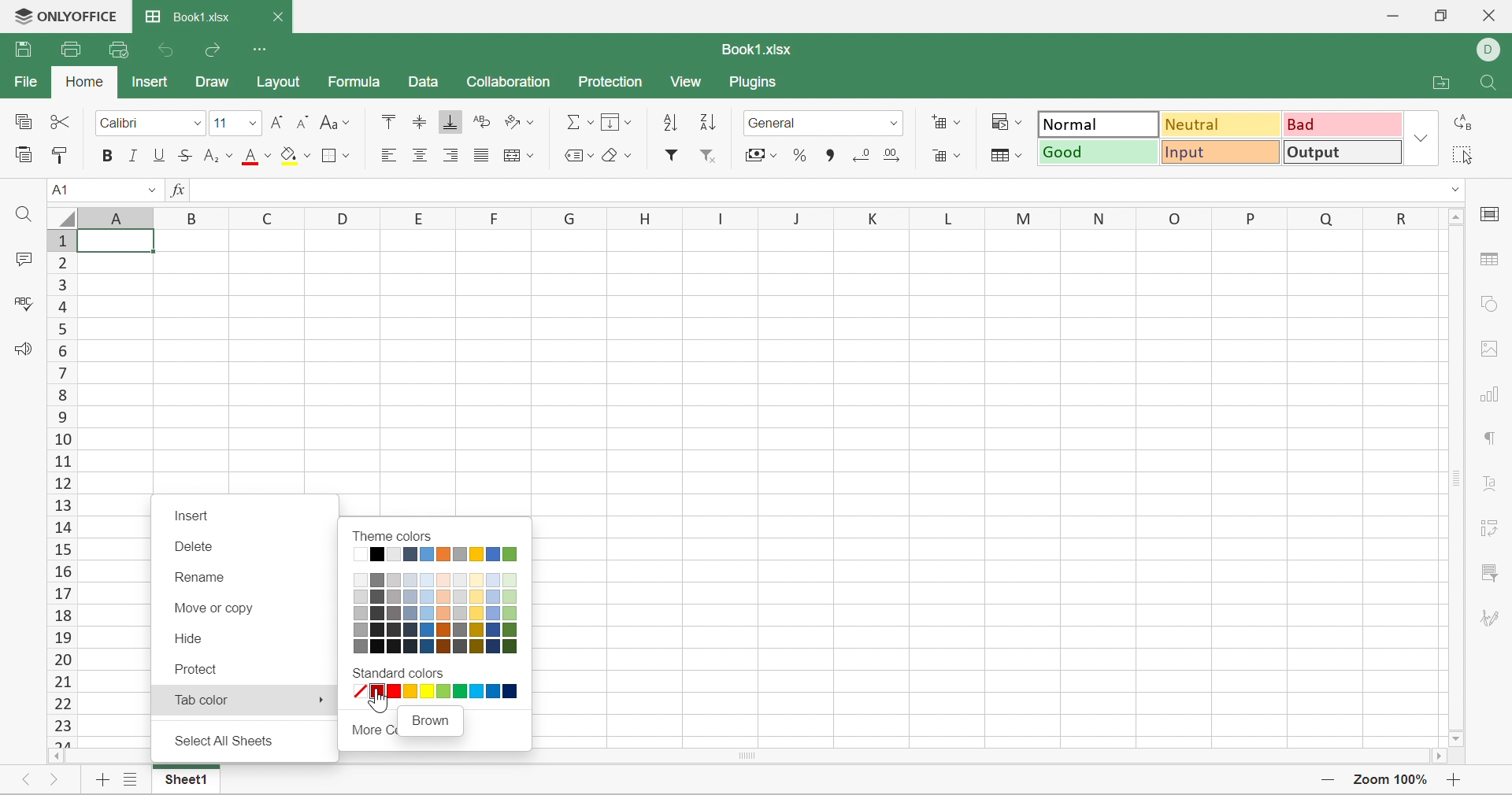  I want to click on Underline, so click(157, 158).